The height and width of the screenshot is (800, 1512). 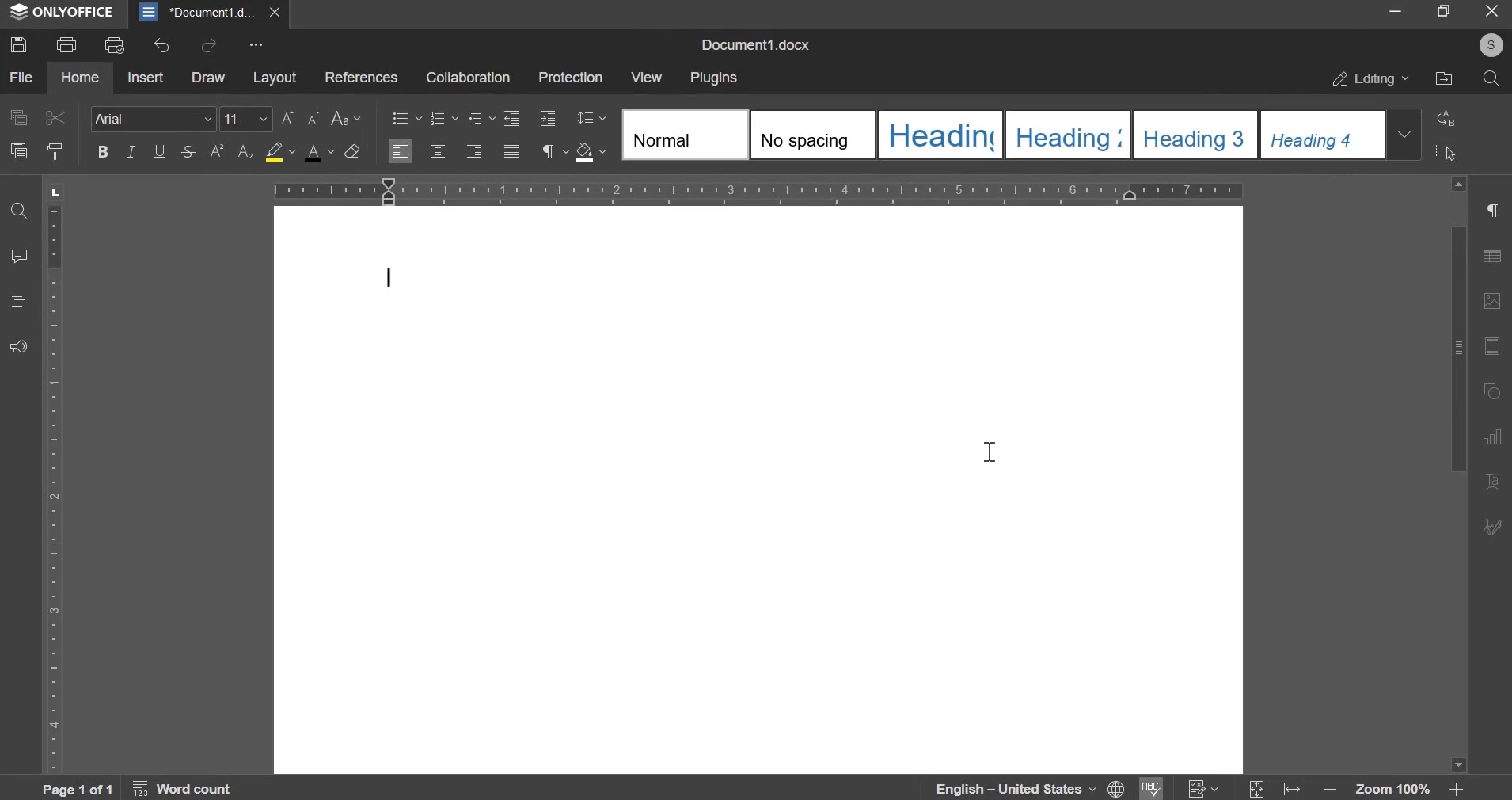 I want to click on text color, so click(x=321, y=152).